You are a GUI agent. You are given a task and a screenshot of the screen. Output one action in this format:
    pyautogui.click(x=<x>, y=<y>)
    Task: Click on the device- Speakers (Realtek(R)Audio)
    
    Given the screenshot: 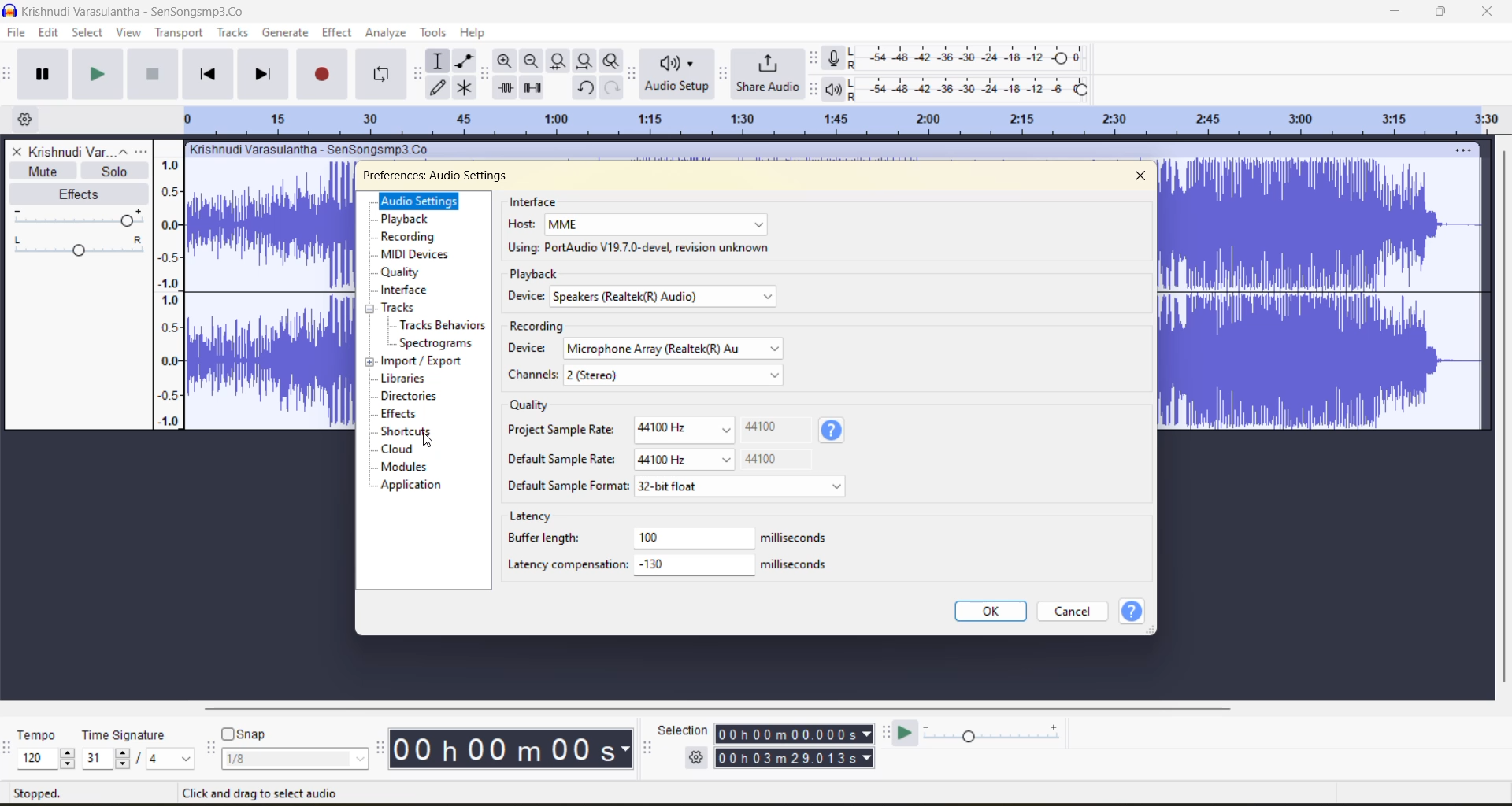 What is the action you would take?
    pyautogui.click(x=645, y=296)
    